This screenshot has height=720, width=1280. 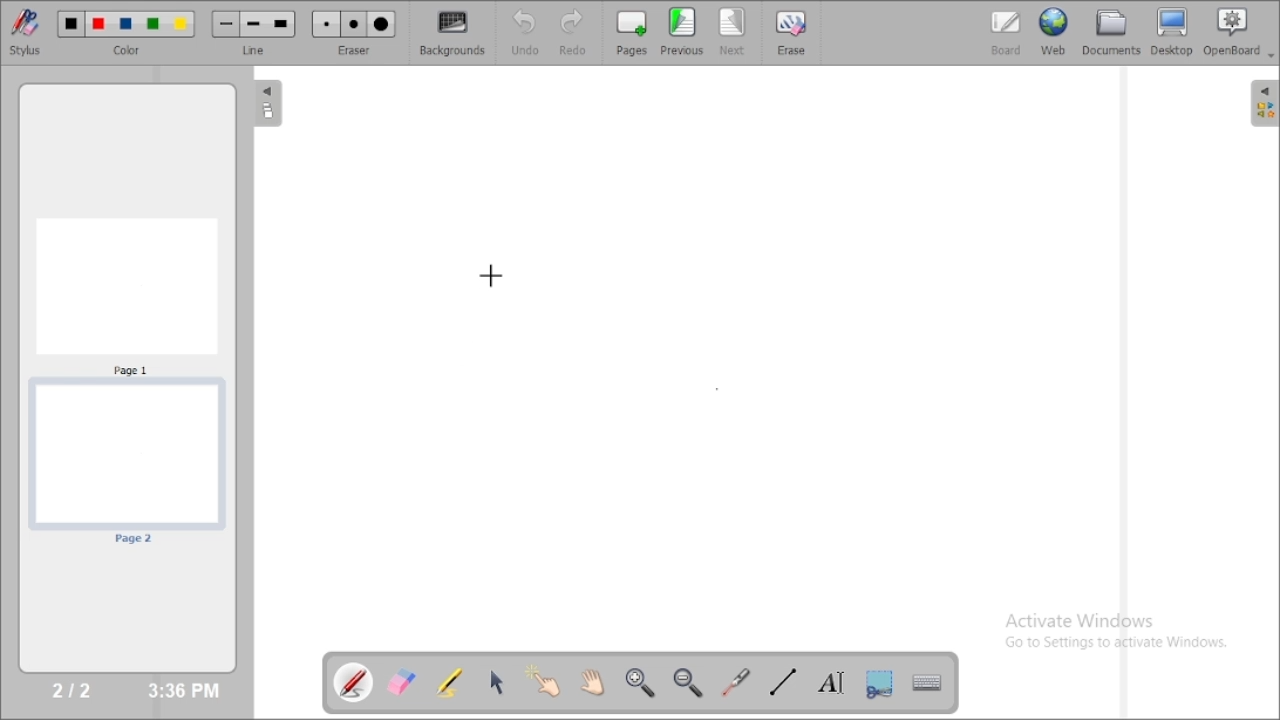 What do you see at coordinates (282, 25) in the screenshot?
I see `Large line` at bounding box center [282, 25].